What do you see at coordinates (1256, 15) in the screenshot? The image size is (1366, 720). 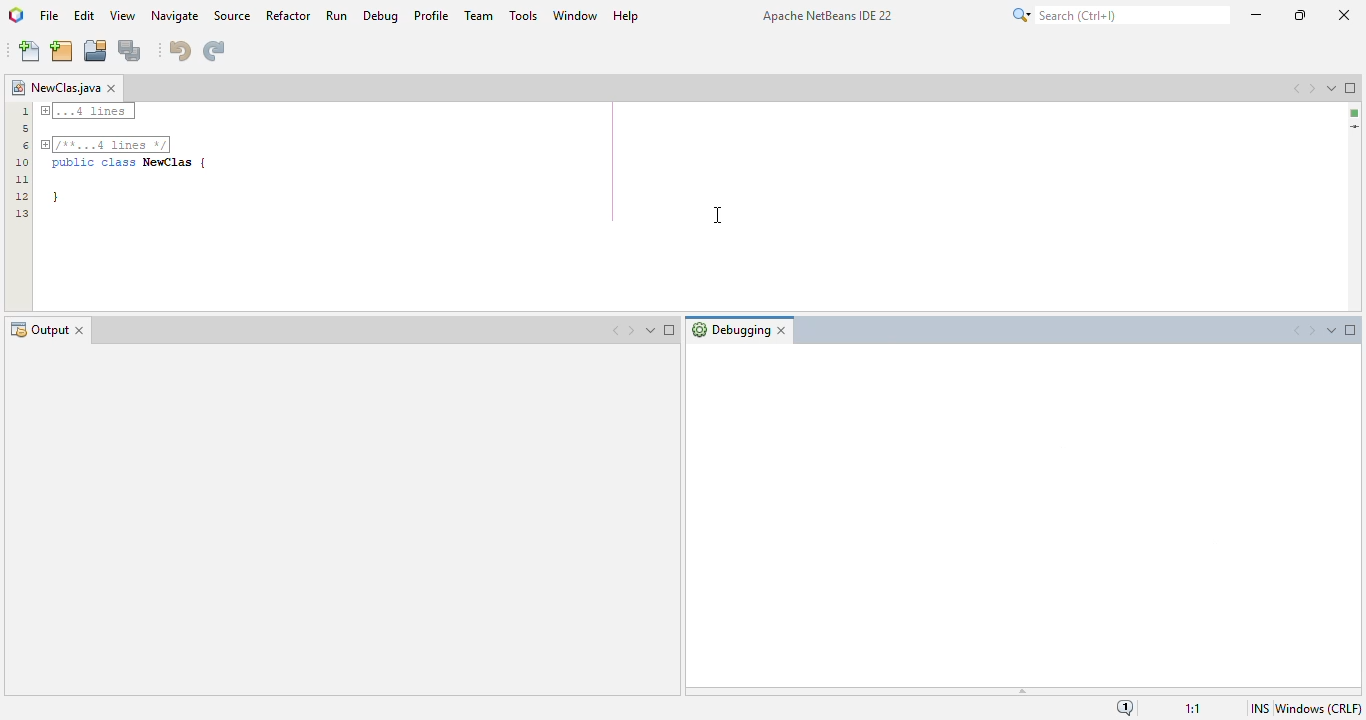 I see `minimize` at bounding box center [1256, 15].